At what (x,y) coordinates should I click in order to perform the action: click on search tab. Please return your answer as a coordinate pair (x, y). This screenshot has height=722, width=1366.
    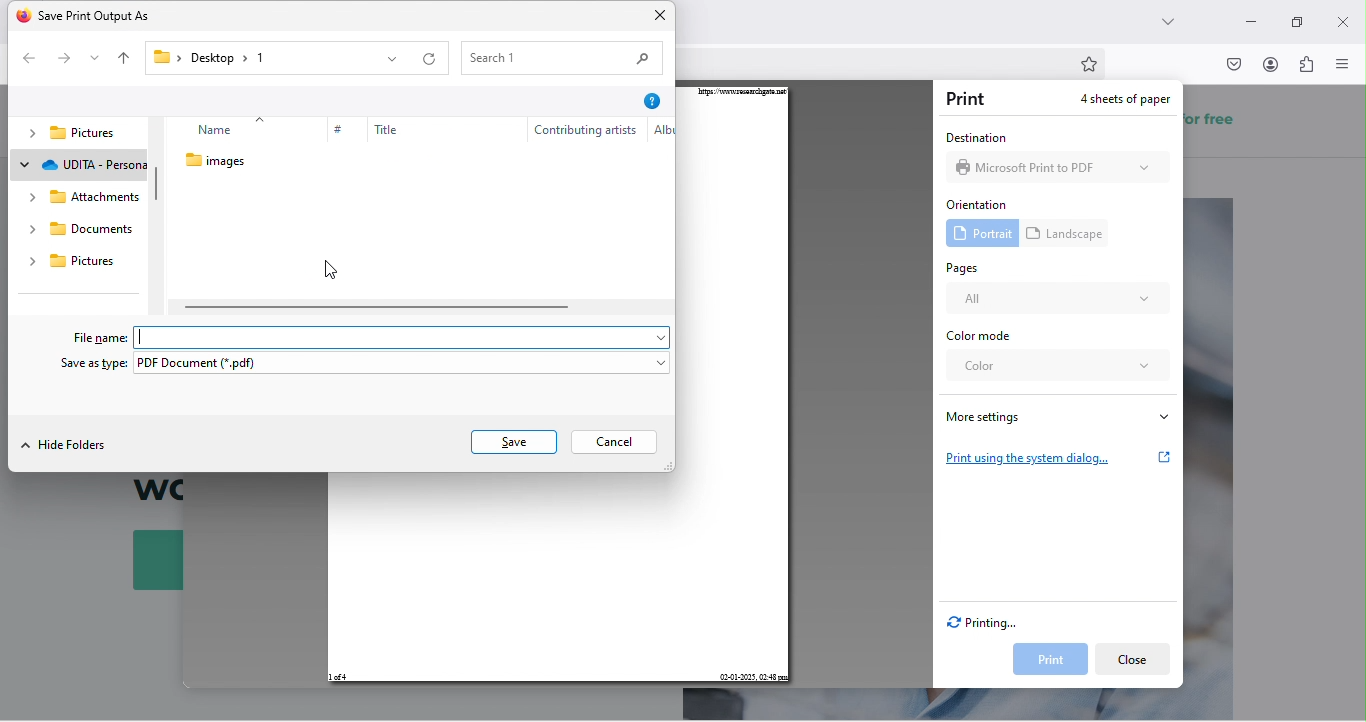
    Looking at the image, I should click on (1175, 26).